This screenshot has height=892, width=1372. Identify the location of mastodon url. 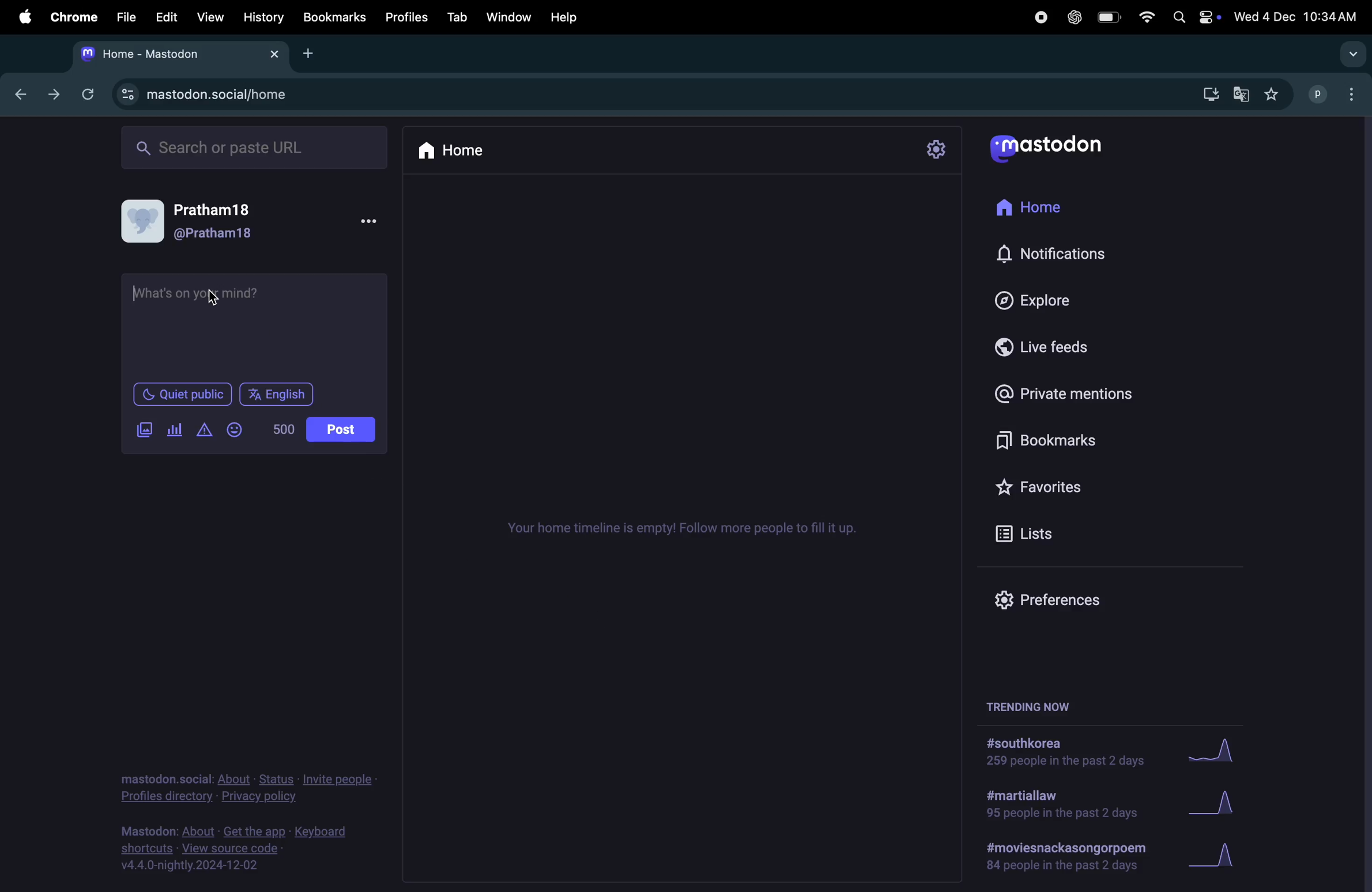
(211, 95).